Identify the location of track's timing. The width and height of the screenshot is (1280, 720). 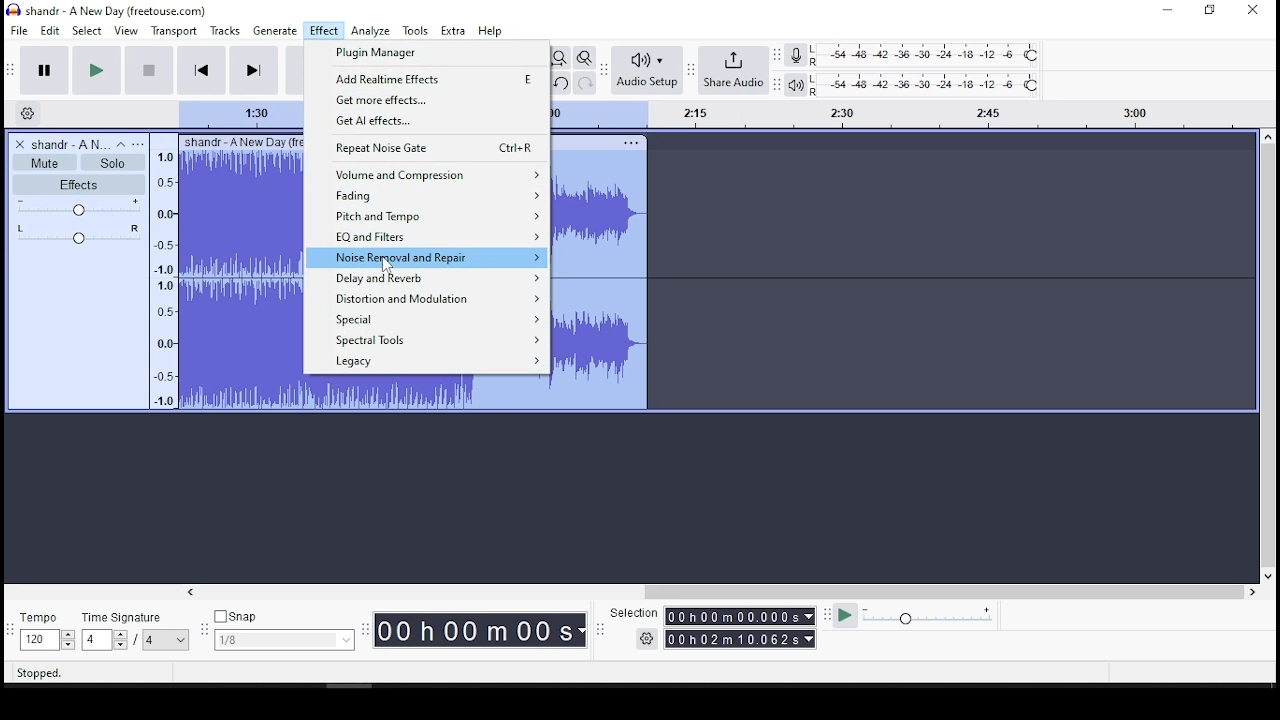
(907, 114).